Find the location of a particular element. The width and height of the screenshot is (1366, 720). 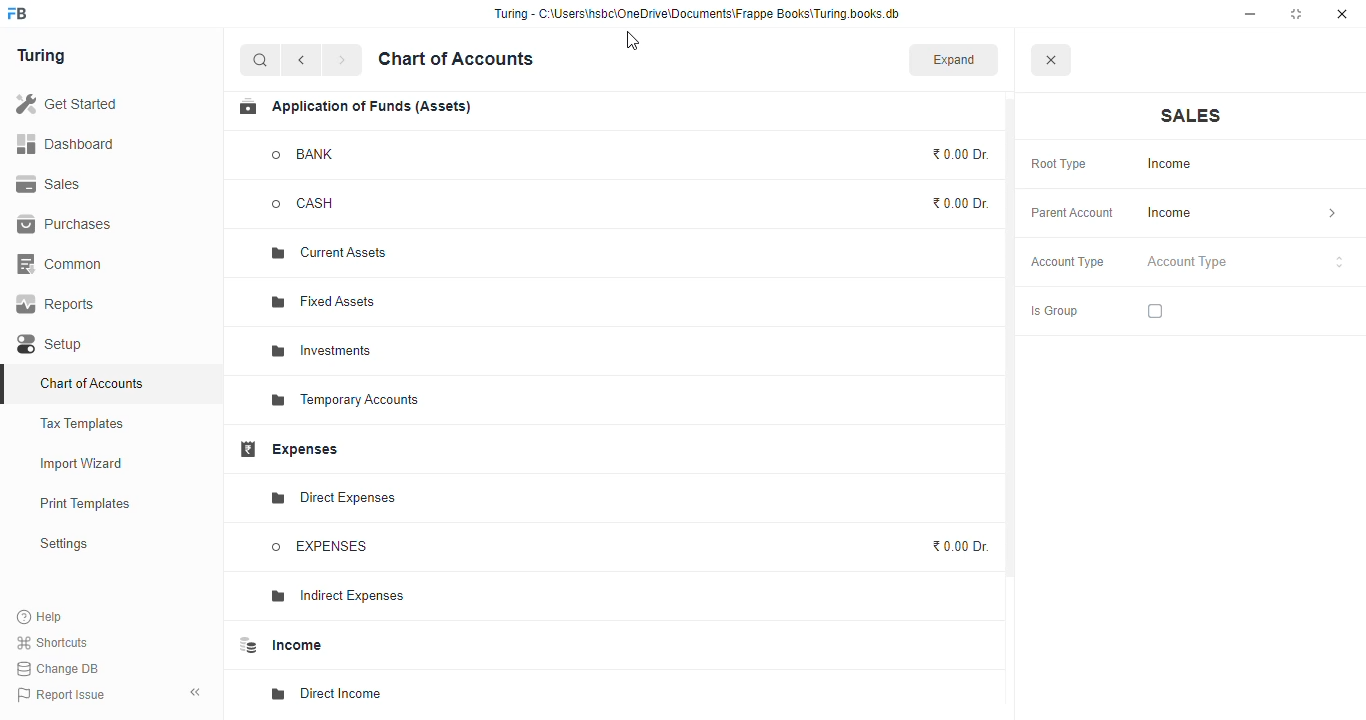

current assets is located at coordinates (329, 254).